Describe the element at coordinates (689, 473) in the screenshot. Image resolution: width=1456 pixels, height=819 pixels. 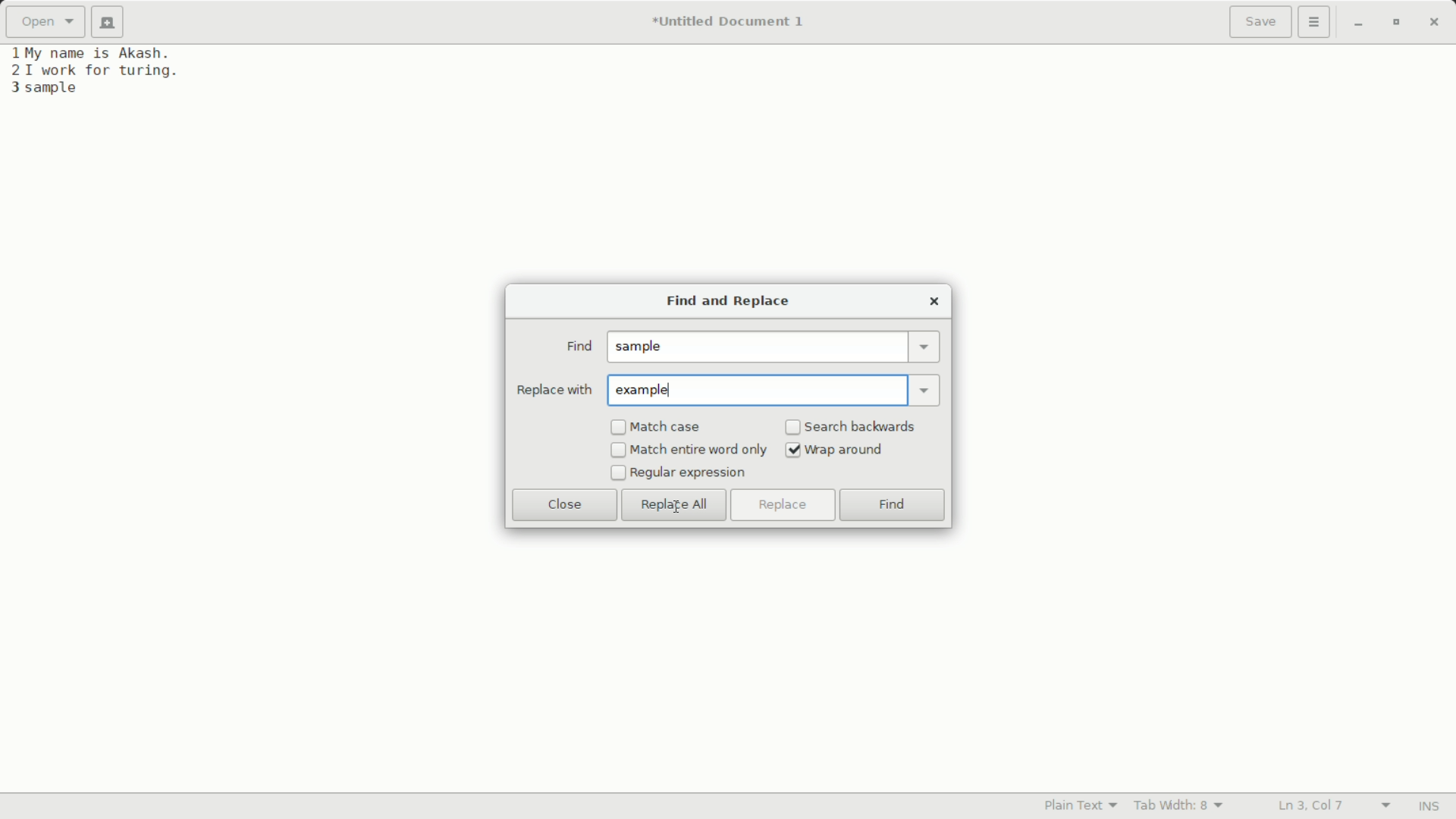
I see `regular expression` at that location.